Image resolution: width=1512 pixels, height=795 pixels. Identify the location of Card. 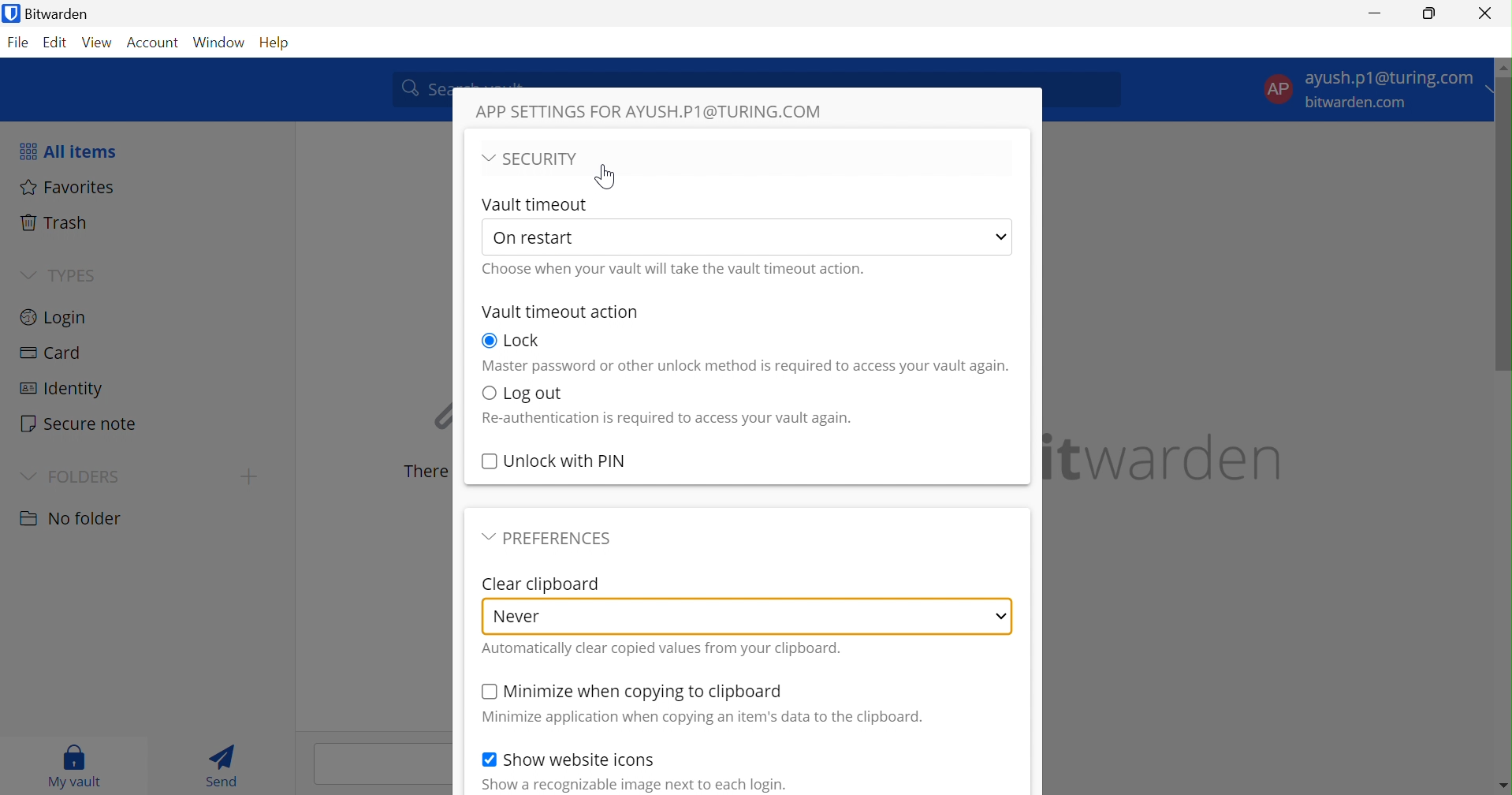
(53, 354).